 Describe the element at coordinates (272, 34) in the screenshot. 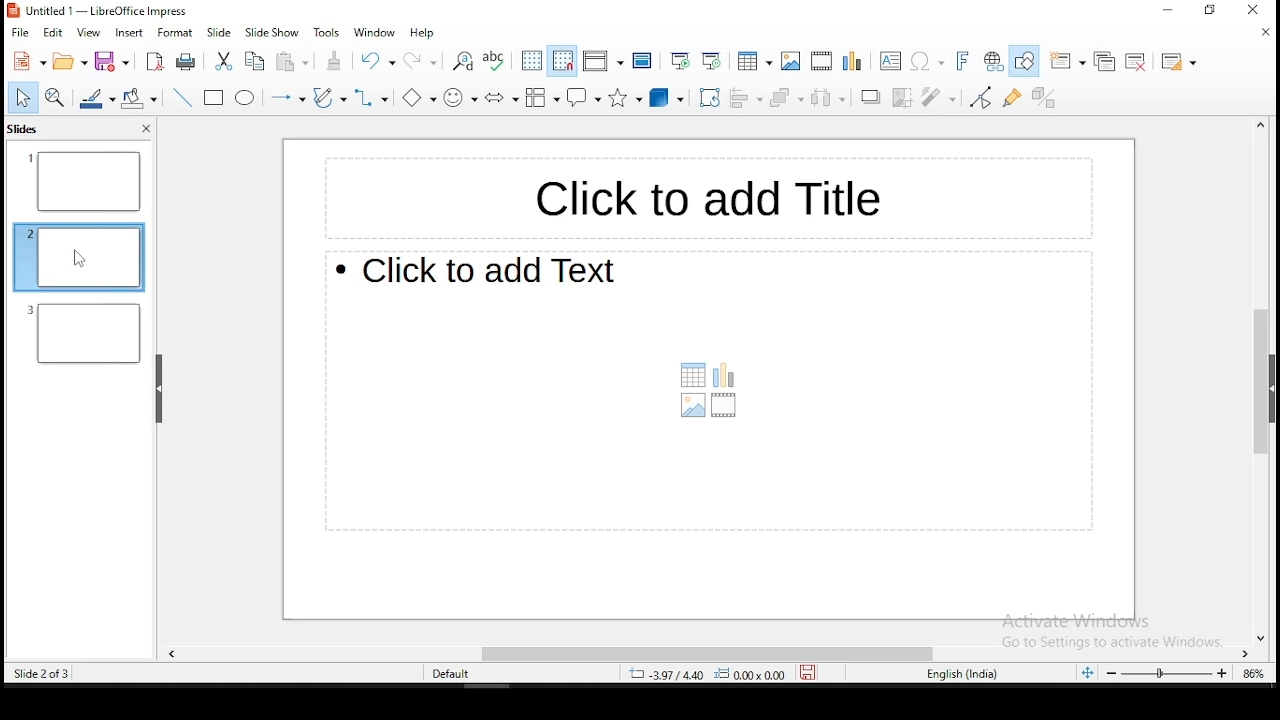

I see `slide show` at that location.